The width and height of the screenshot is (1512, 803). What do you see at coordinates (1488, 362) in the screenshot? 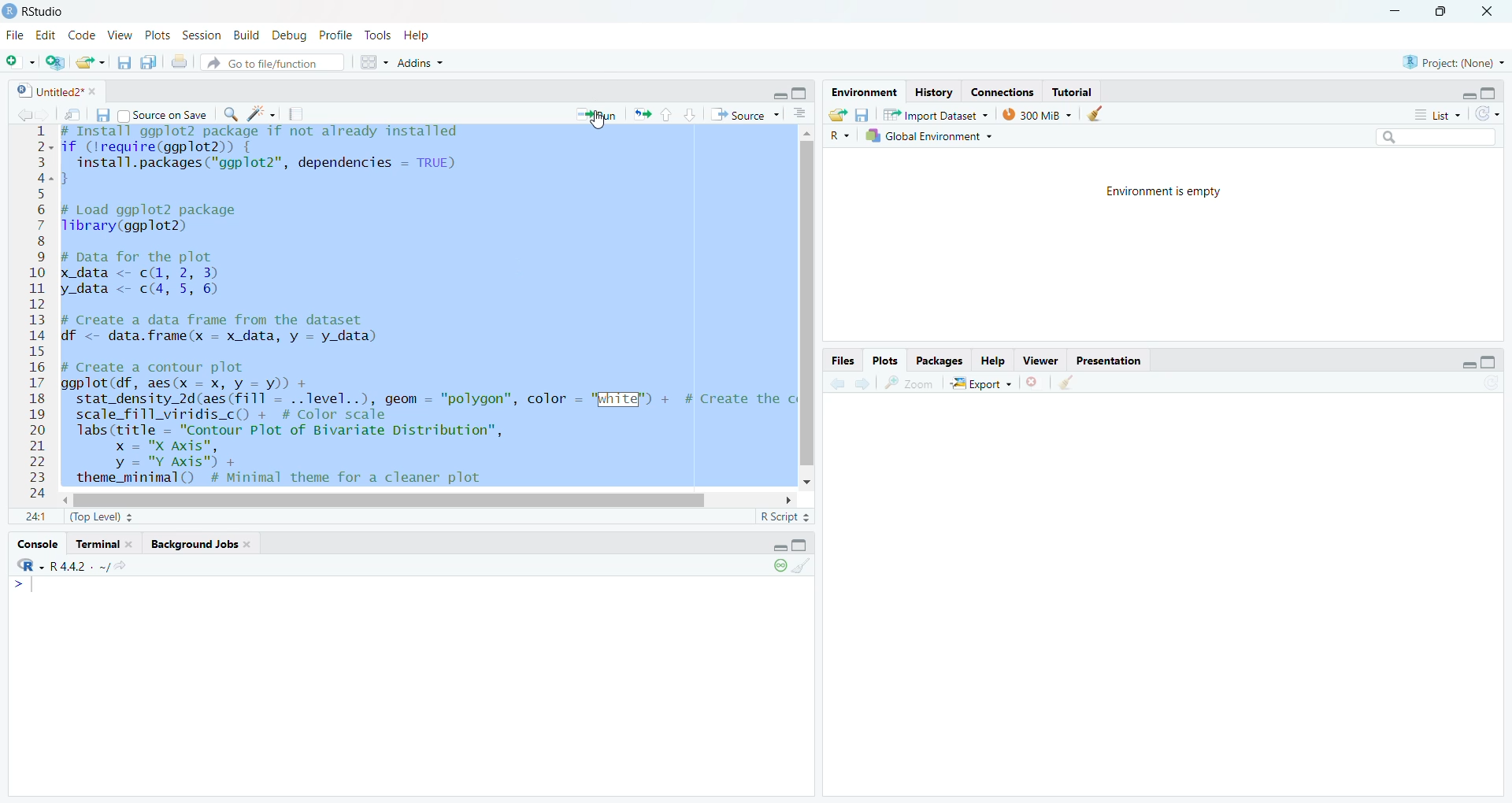
I see `hide console` at bounding box center [1488, 362].